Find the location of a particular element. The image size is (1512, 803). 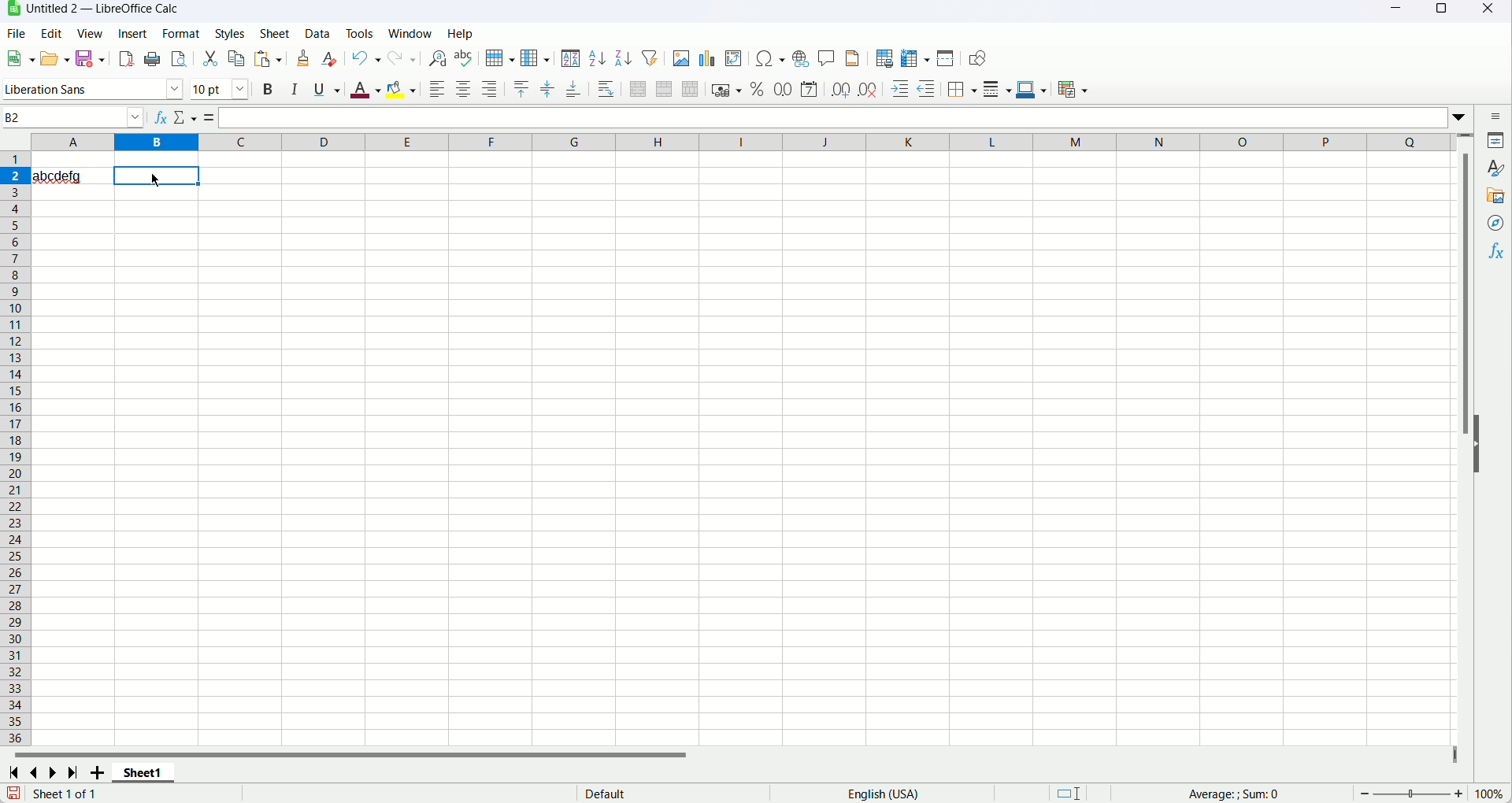

format as number is located at coordinates (783, 90).